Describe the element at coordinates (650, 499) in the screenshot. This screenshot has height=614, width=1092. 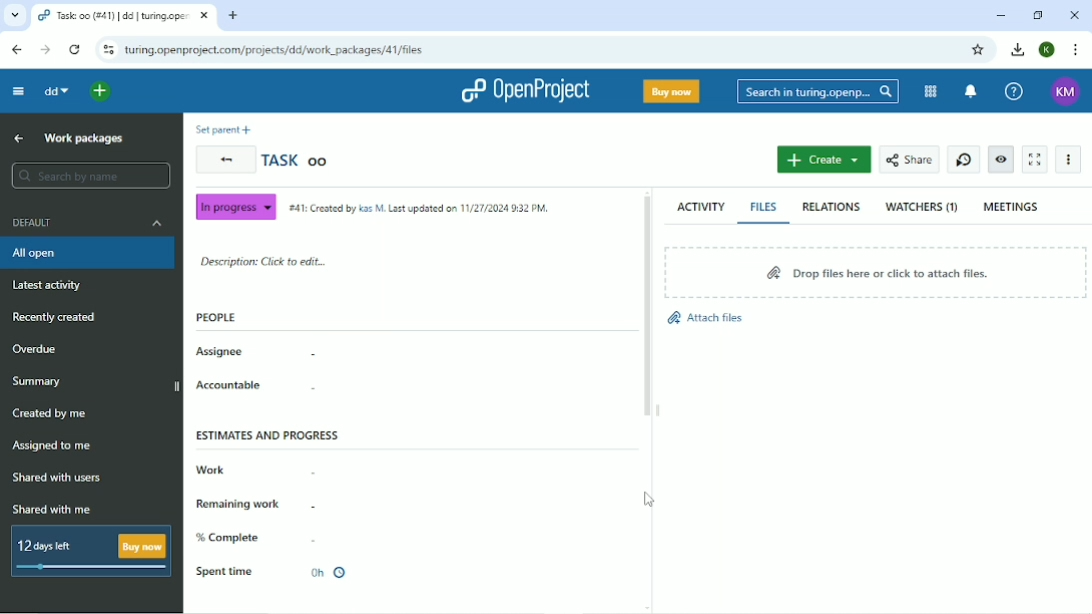
I see `Cursor` at that location.